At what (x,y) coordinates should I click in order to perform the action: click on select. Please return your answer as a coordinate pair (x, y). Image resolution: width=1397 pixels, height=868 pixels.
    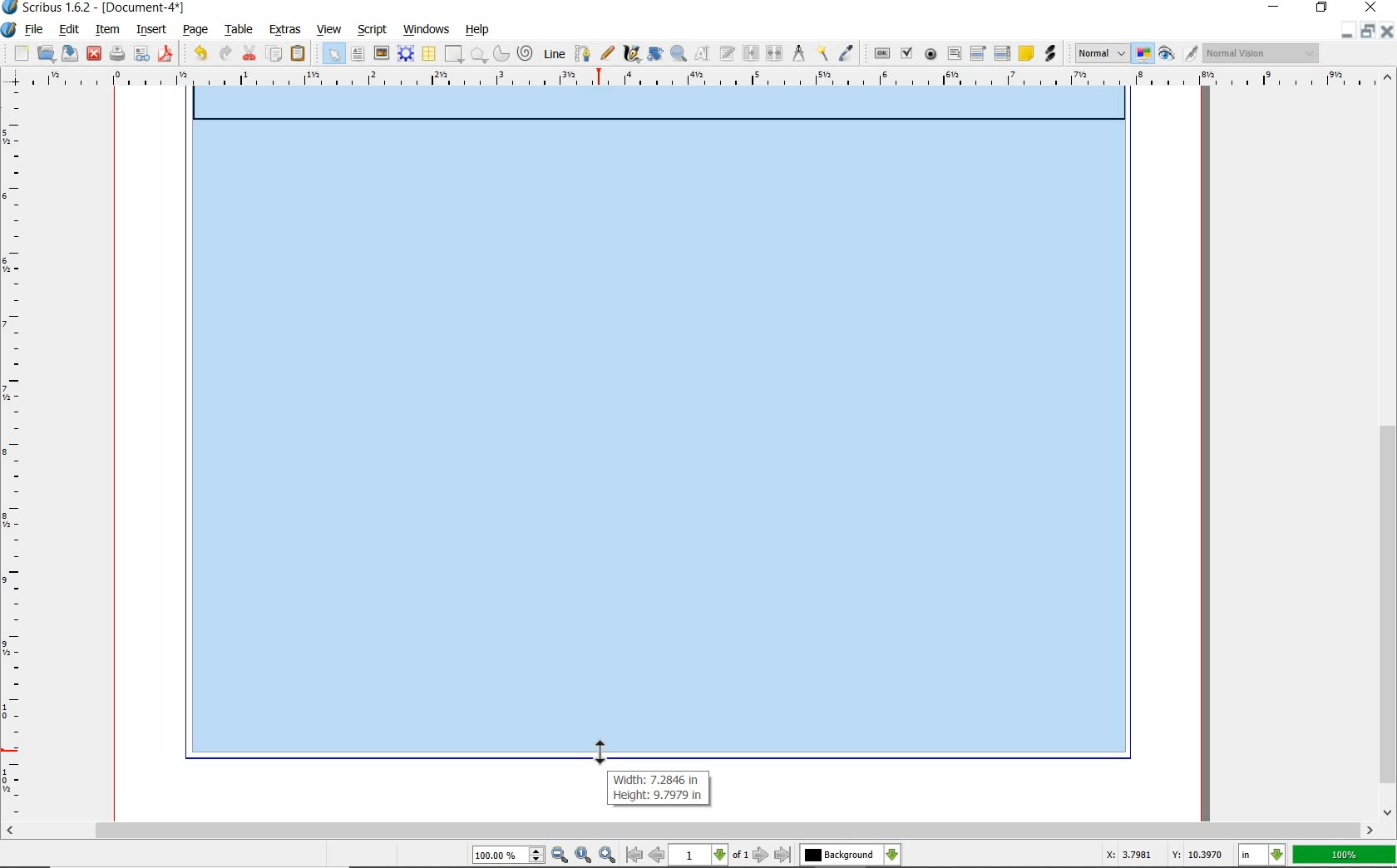
    Looking at the image, I should click on (332, 52).